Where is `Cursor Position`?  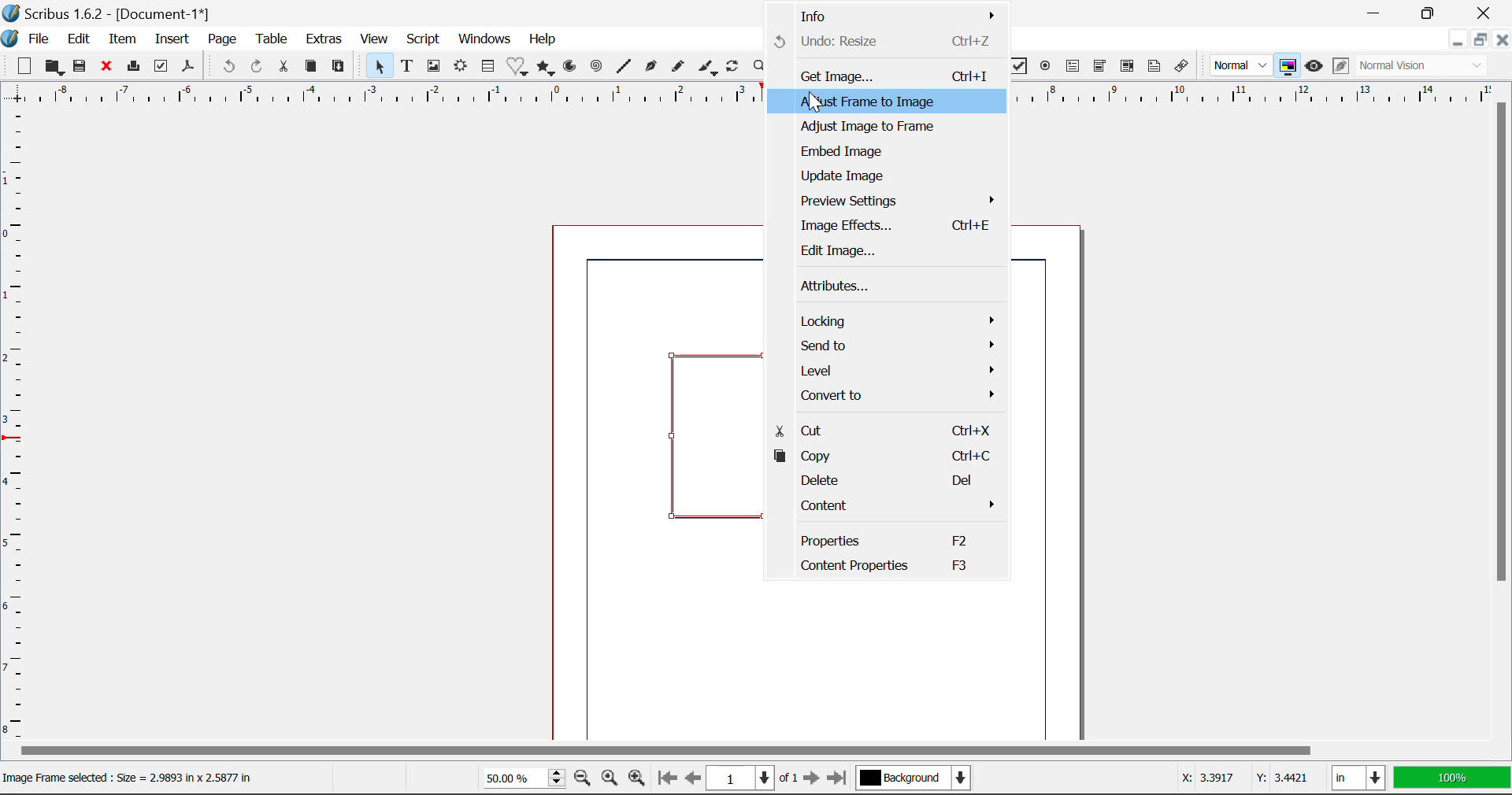 Cursor Position is located at coordinates (1240, 779).